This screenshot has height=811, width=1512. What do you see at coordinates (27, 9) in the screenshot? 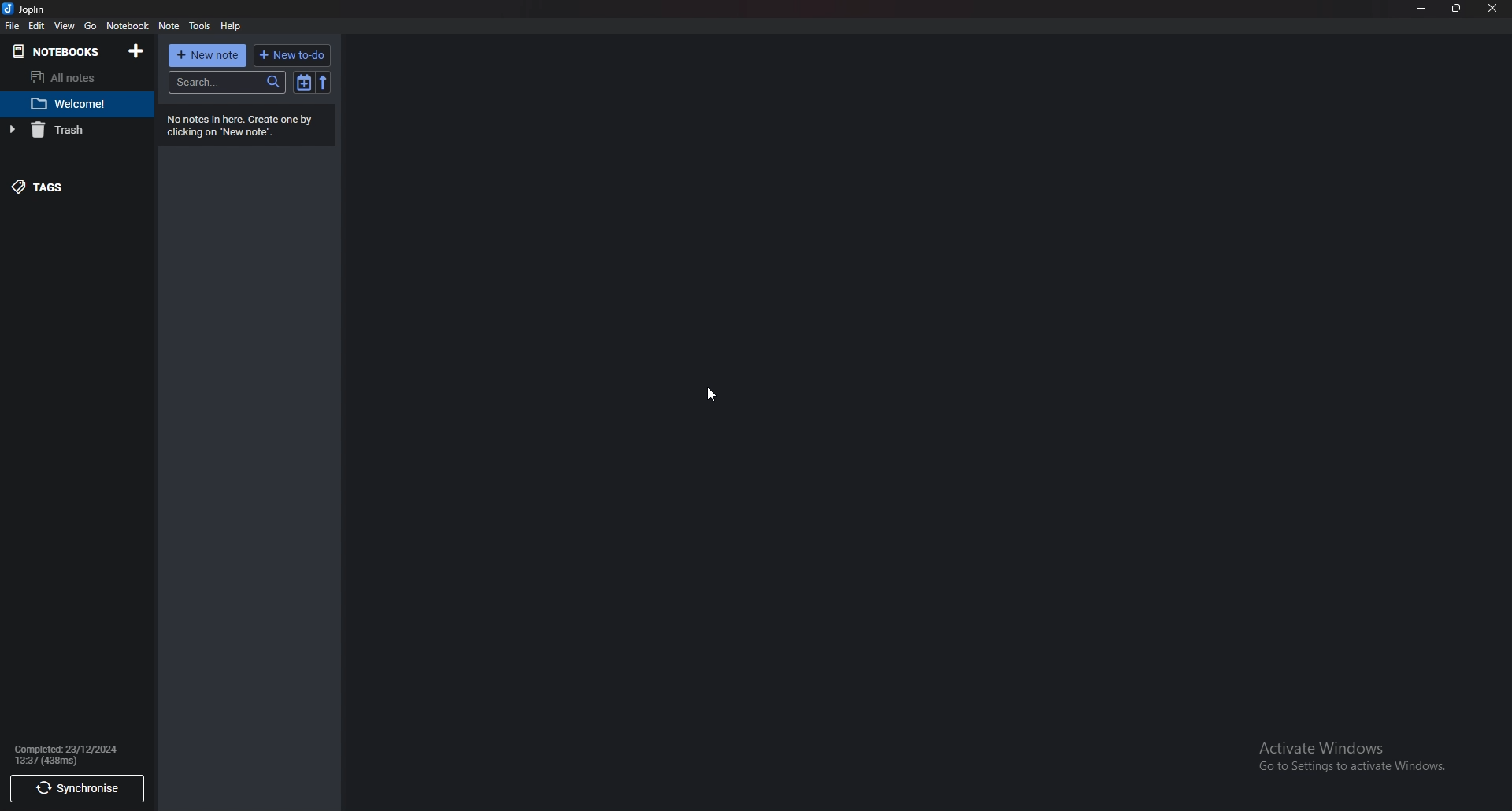
I see `joplin` at bounding box center [27, 9].